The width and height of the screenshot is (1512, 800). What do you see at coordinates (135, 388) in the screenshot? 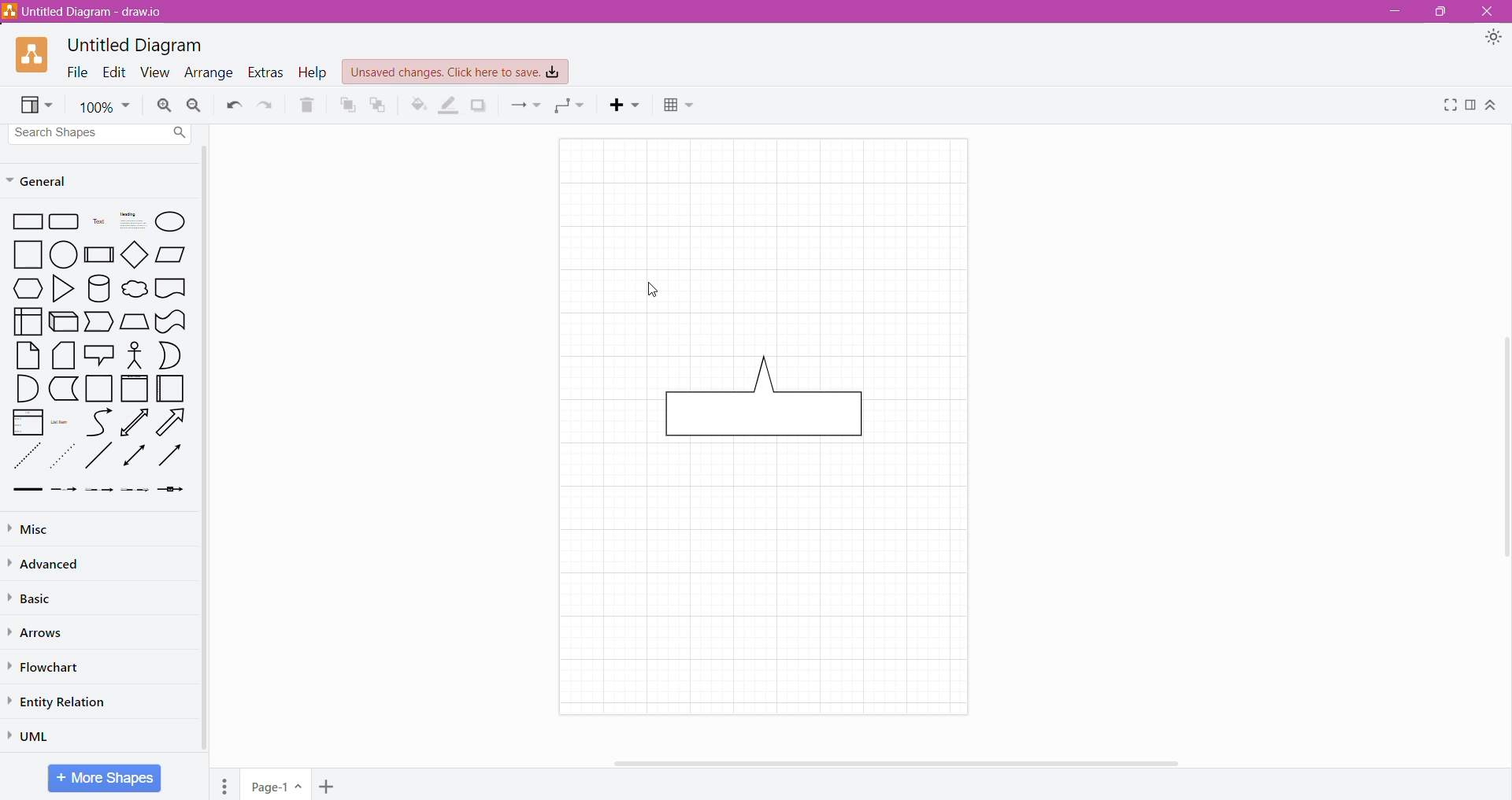
I see `frame` at bounding box center [135, 388].